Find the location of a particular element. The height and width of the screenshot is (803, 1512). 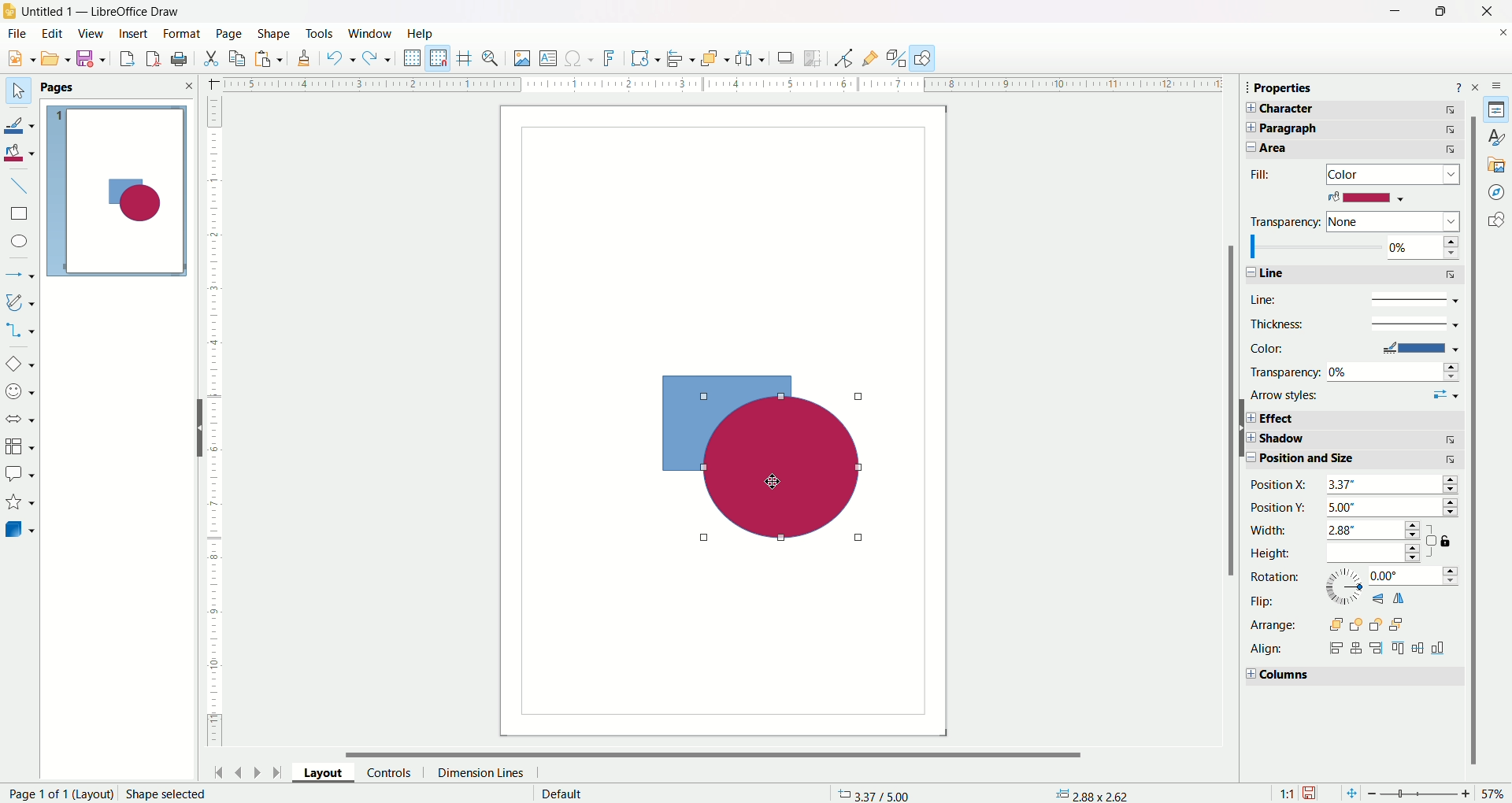

horizontal scroll bar is located at coordinates (724, 753).